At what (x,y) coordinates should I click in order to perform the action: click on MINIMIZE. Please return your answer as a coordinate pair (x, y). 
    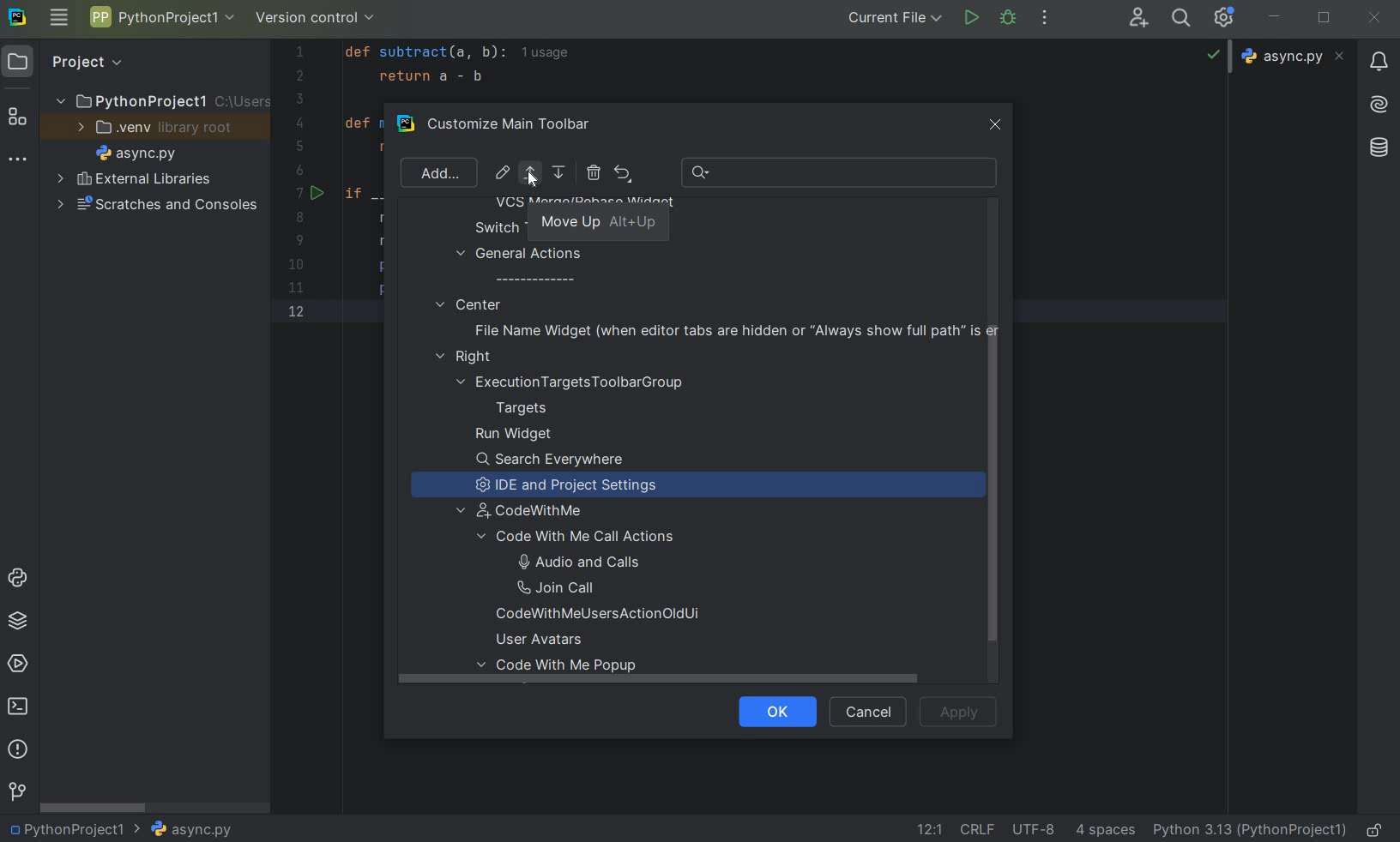
    Looking at the image, I should click on (1276, 18).